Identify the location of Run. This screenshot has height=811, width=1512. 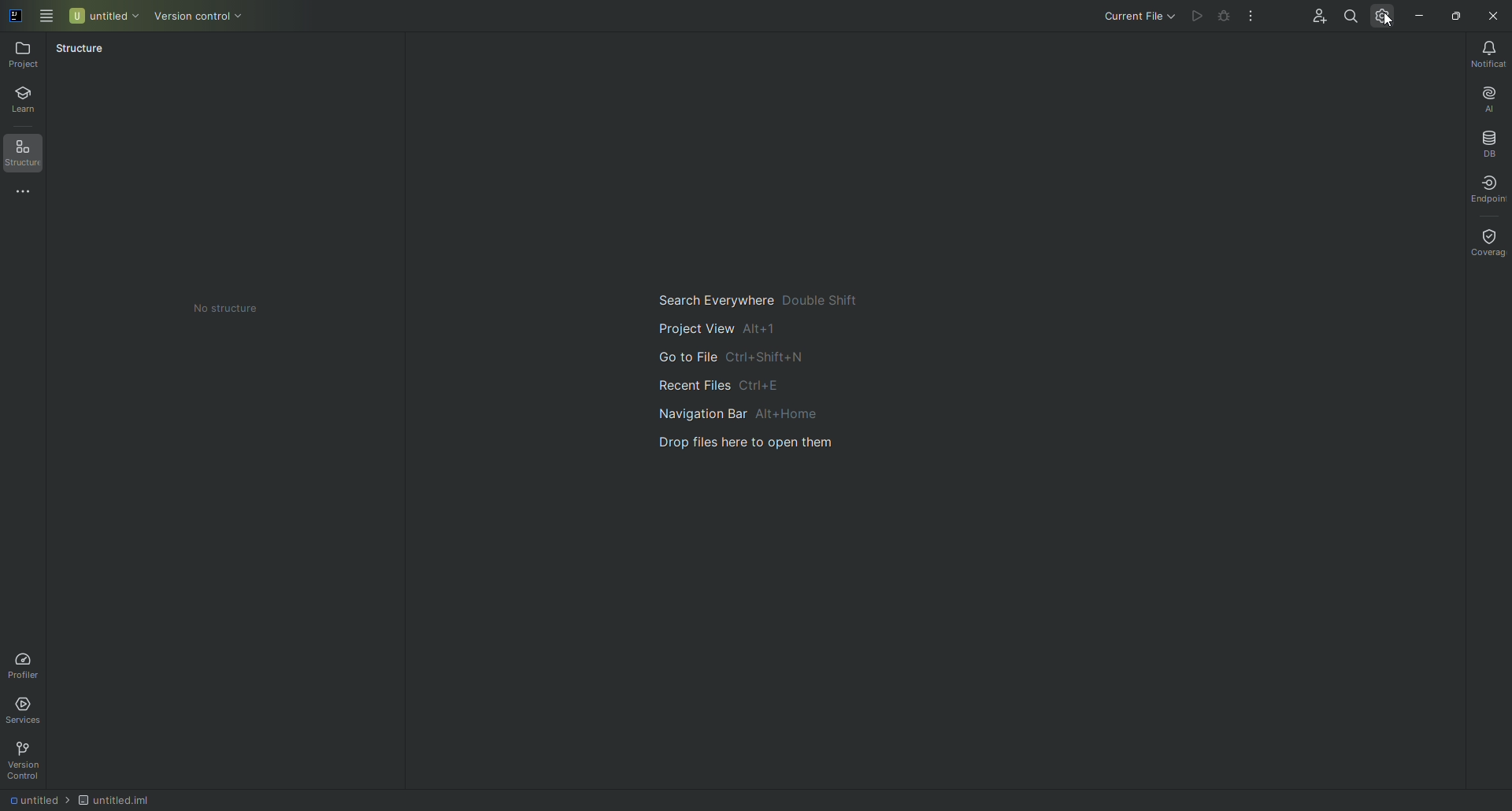
(1195, 17).